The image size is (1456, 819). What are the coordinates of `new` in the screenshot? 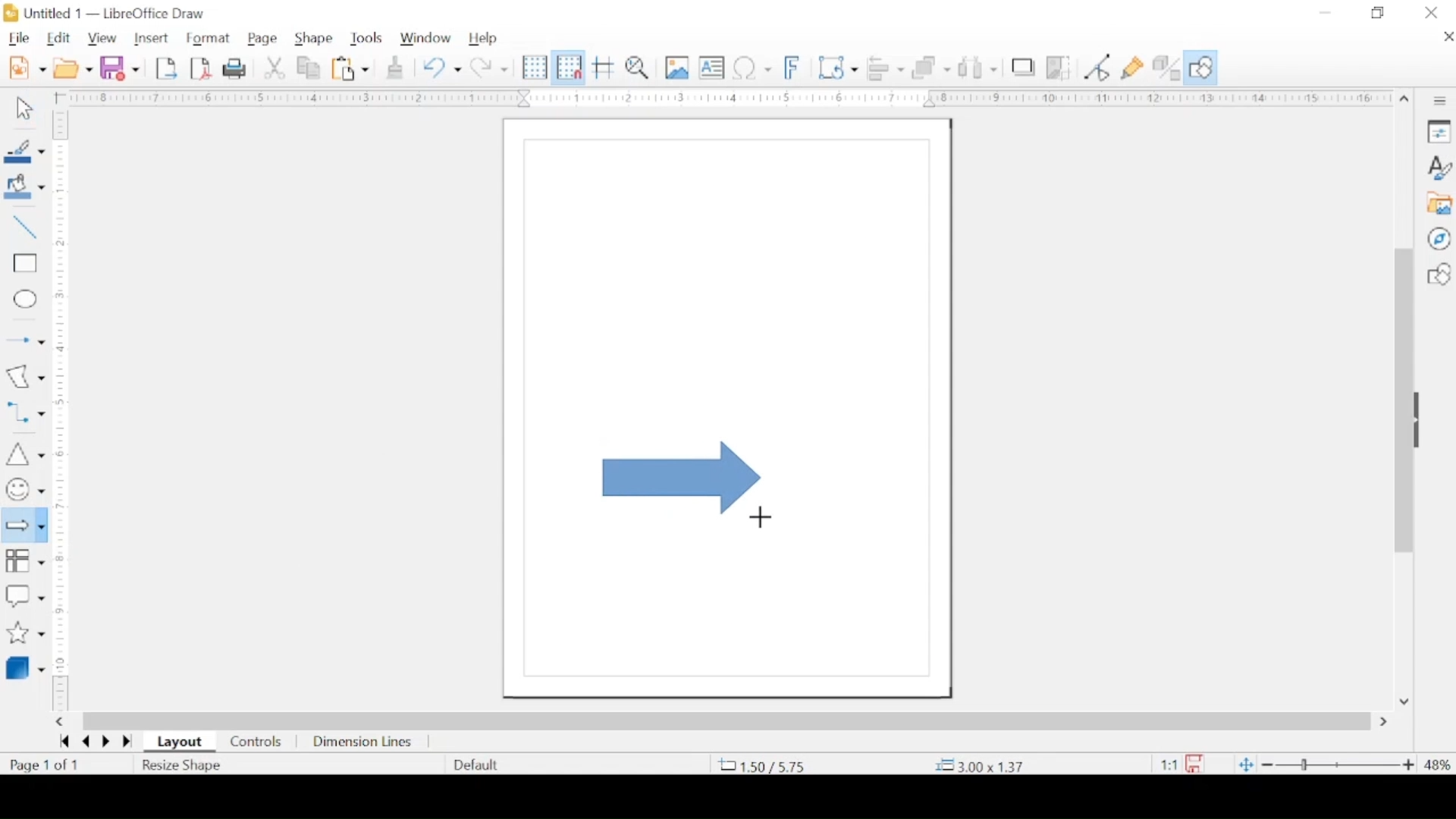 It's located at (27, 67).